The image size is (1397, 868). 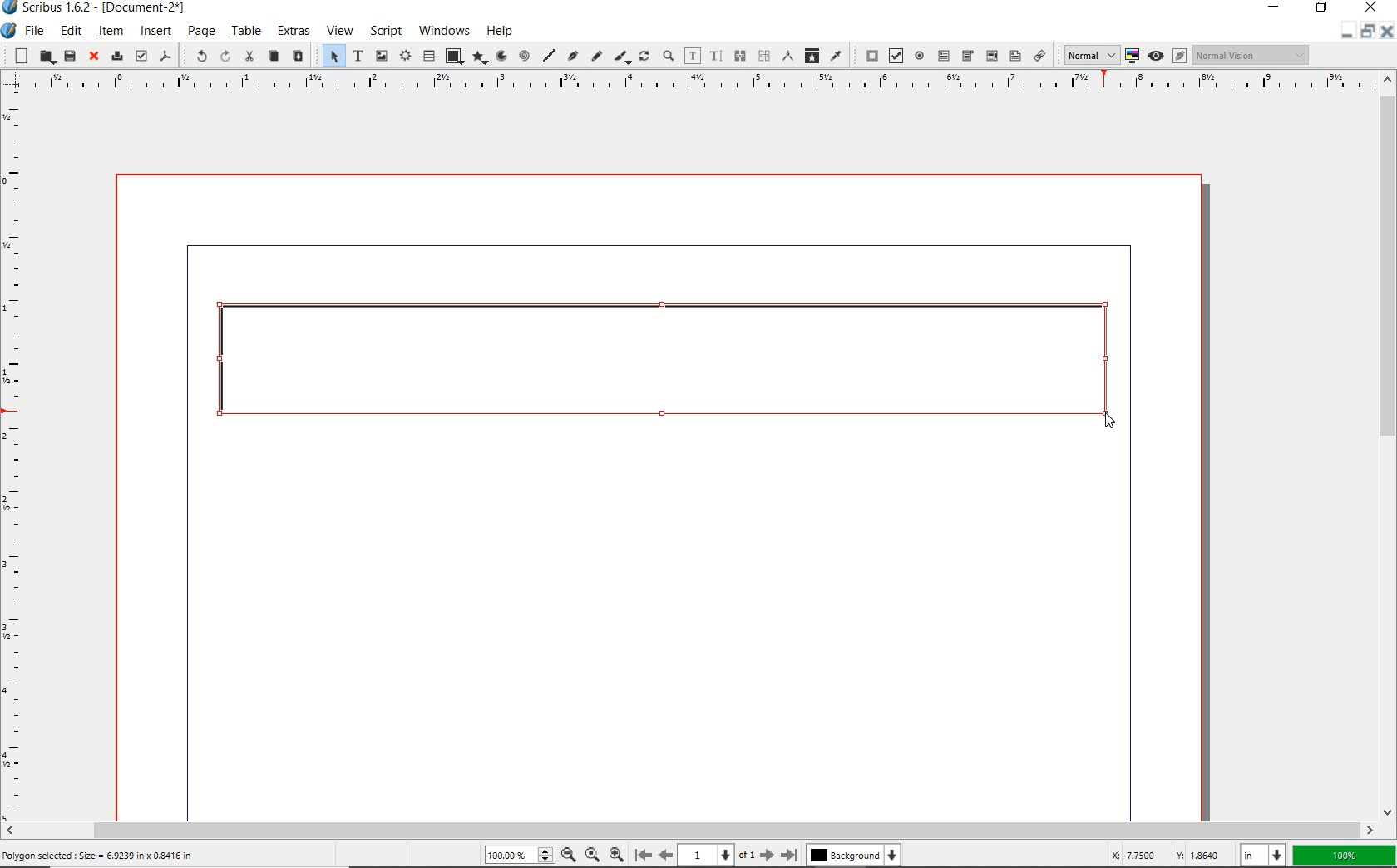 I want to click on rotate item, so click(x=644, y=55).